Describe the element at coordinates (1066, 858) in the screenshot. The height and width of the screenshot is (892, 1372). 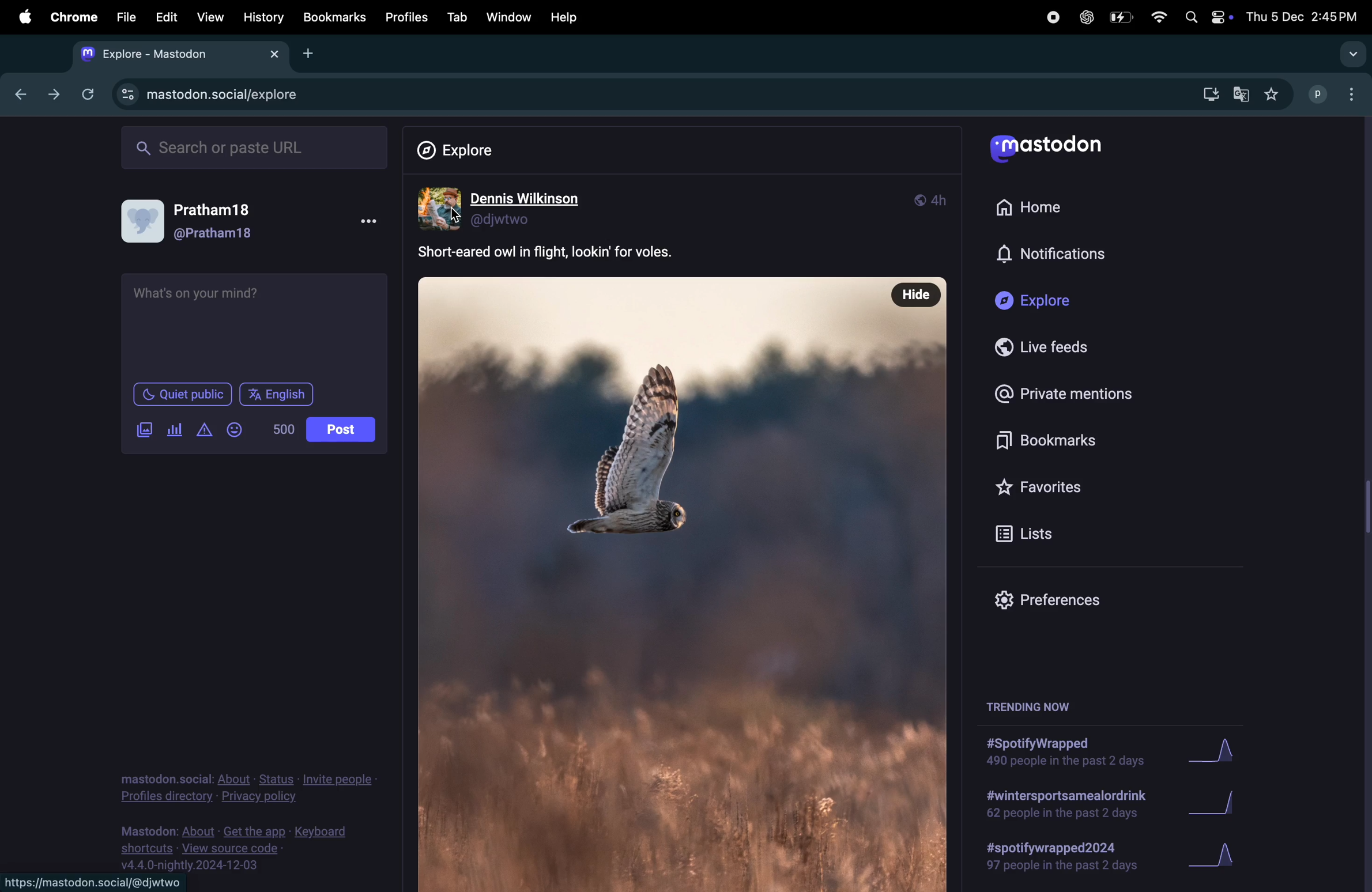
I see `#spotify wrapped 2024` at that location.